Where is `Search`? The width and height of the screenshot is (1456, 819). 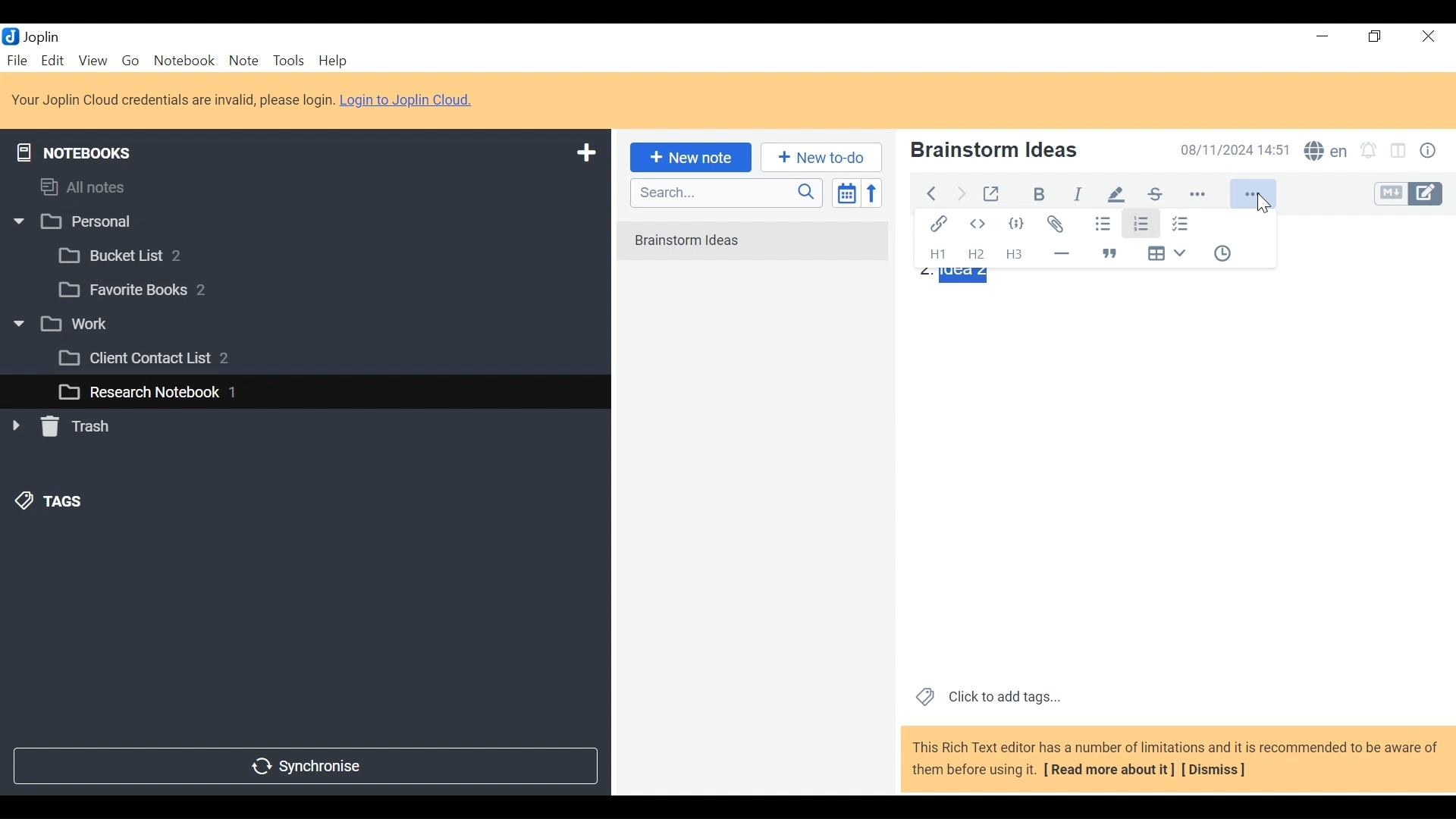
Search is located at coordinates (724, 193).